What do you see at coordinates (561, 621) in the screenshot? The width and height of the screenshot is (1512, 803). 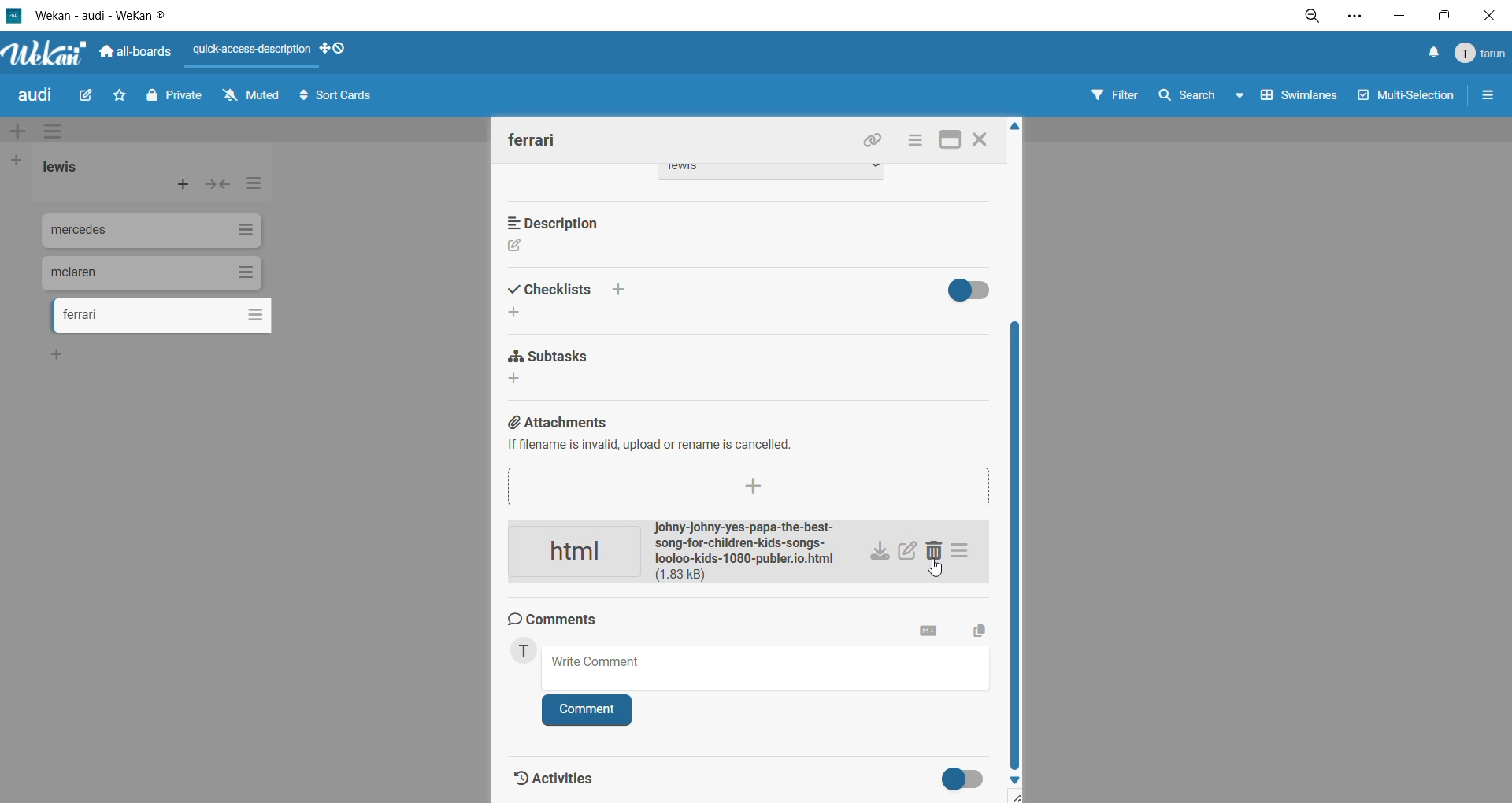 I see `comments` at bounding box center [561, 621].